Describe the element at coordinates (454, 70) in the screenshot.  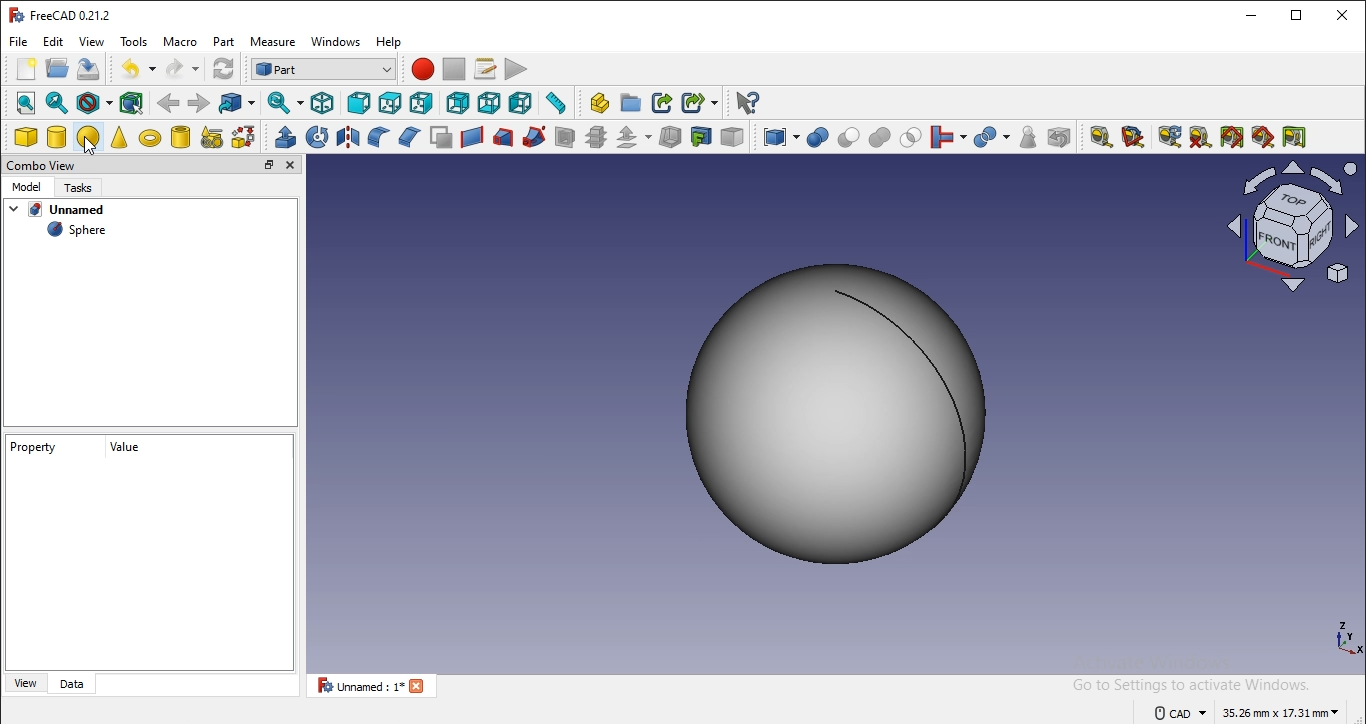
I see `stop recording` at that location.